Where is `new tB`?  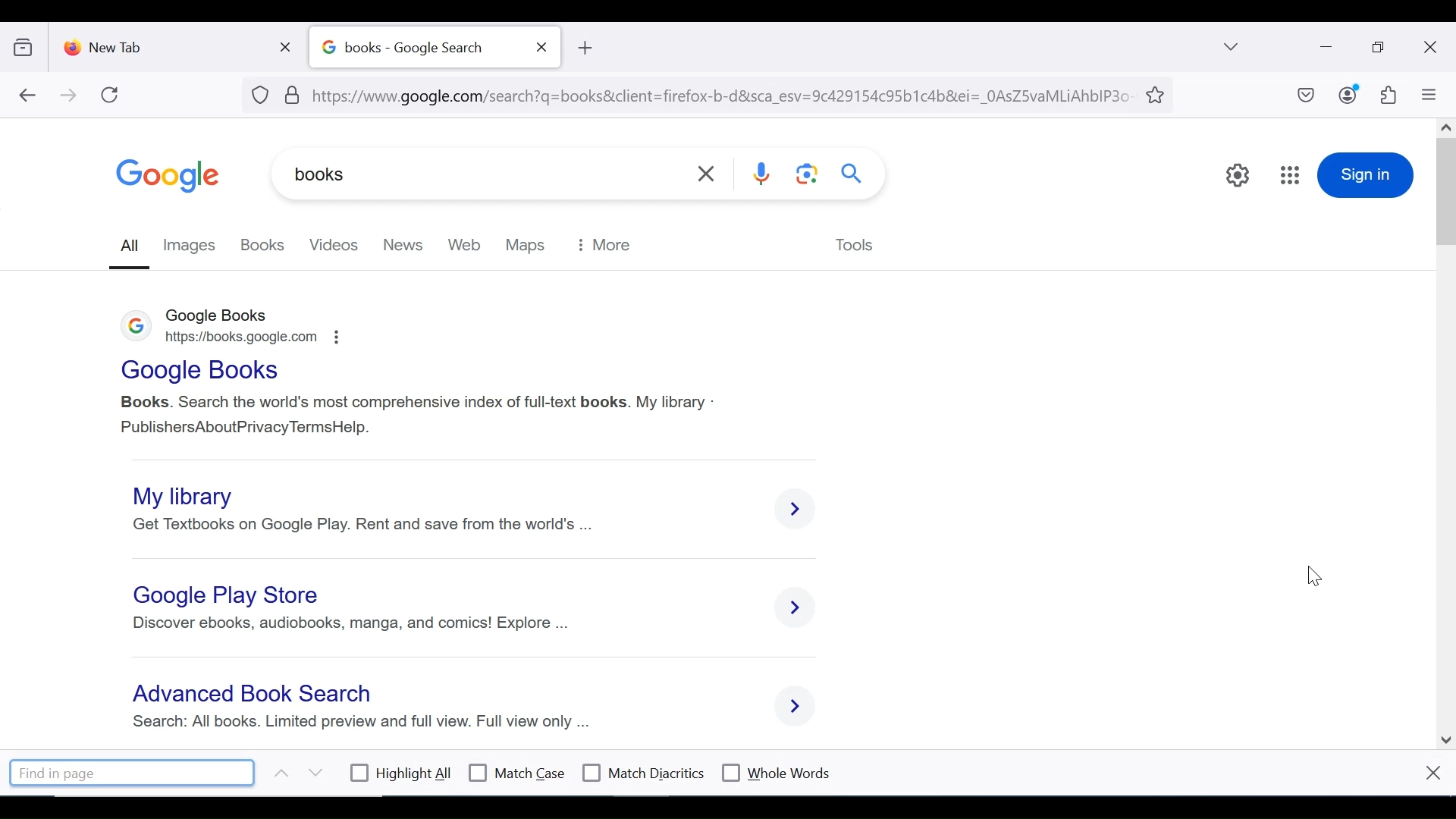
new tB is located at coordinates (584, 48).